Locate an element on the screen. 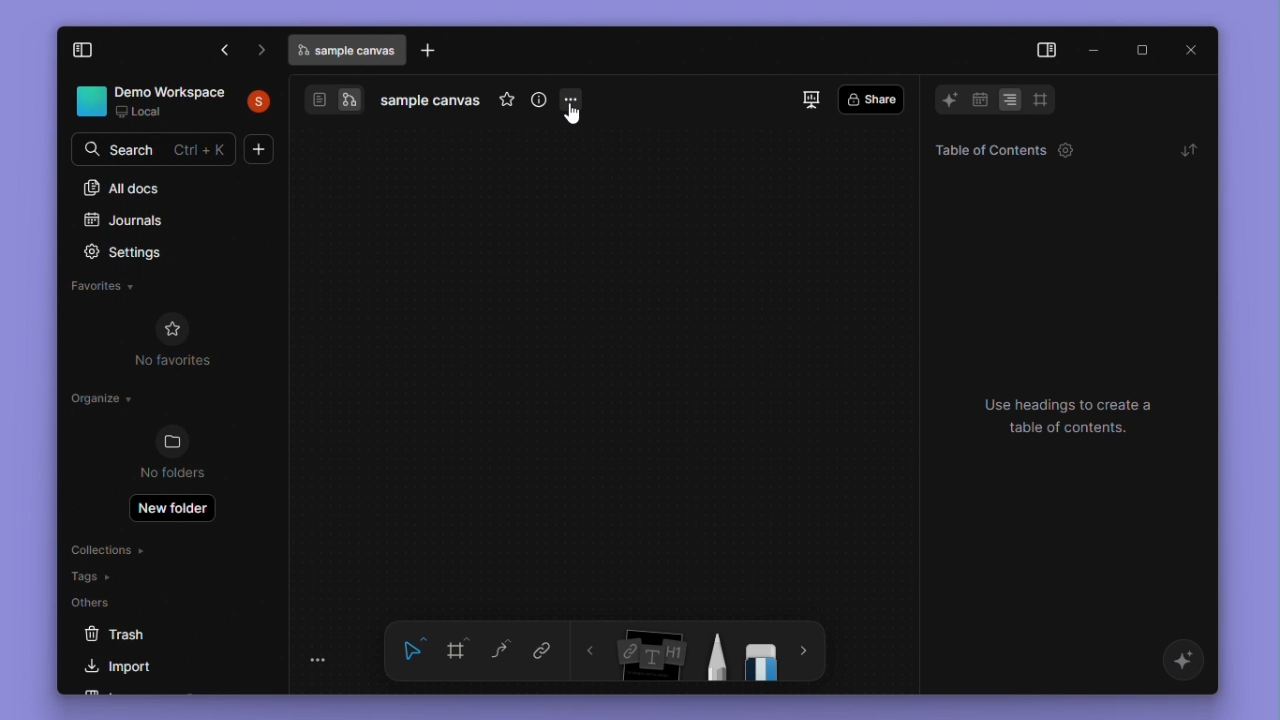 The image size is (1280, 720). curve is located at coordinates (501, 648).